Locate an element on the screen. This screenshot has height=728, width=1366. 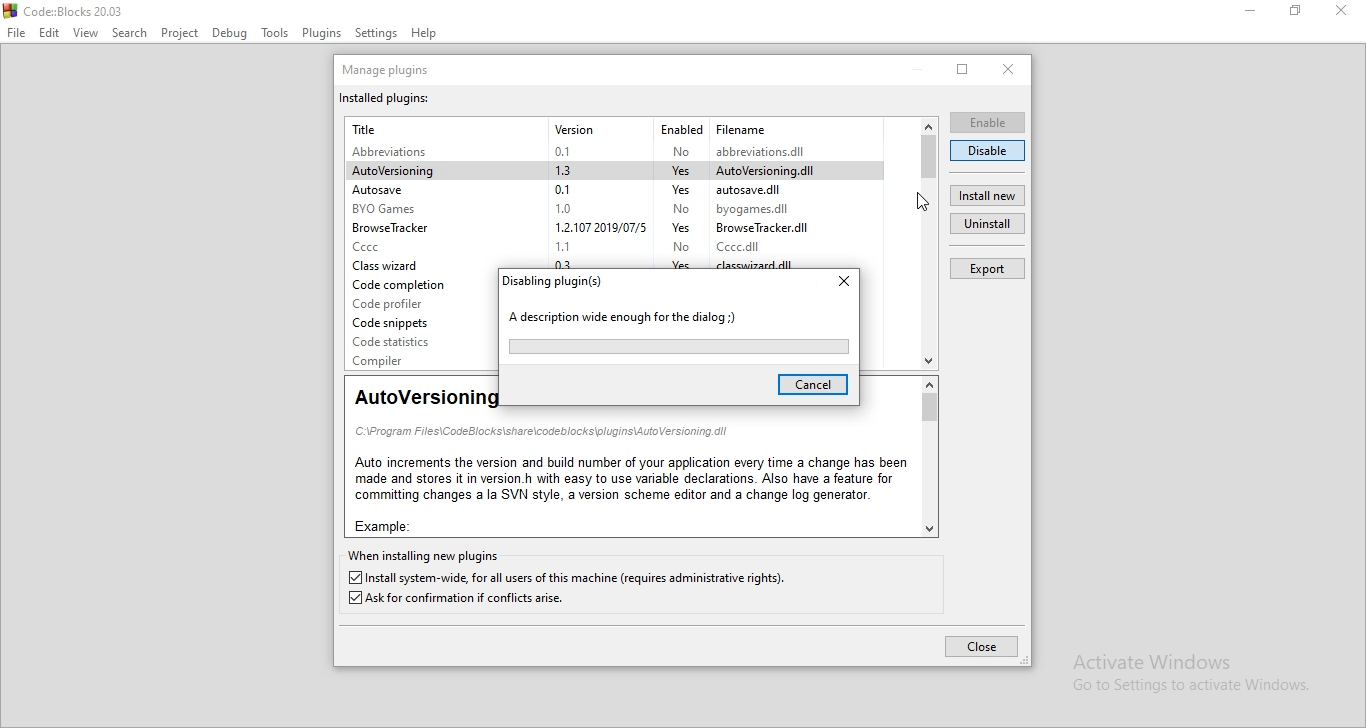
Title is located at coordinates (370, 128).